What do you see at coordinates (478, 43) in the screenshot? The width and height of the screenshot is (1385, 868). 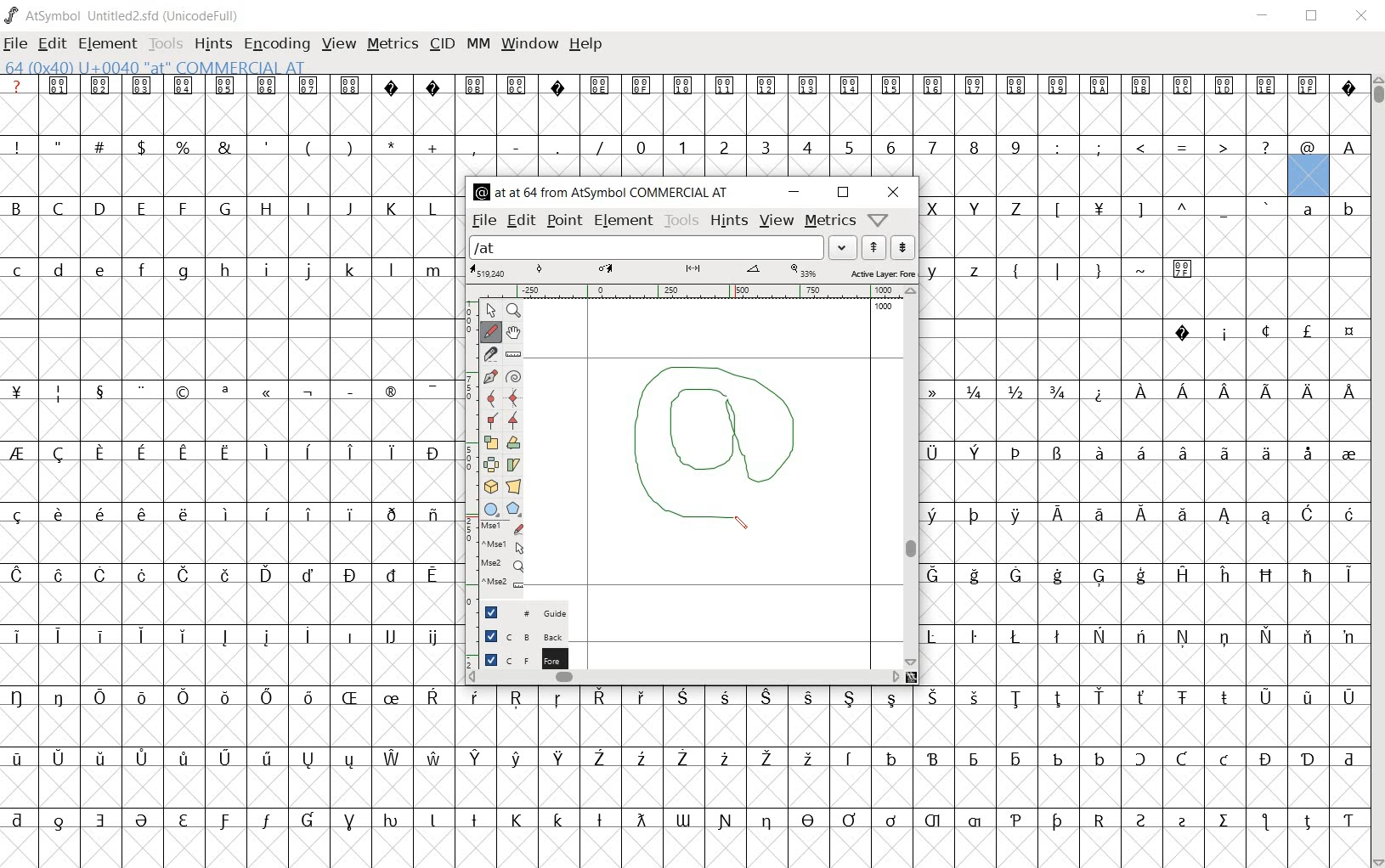 I see `MM` at bounding box center [478, 43].